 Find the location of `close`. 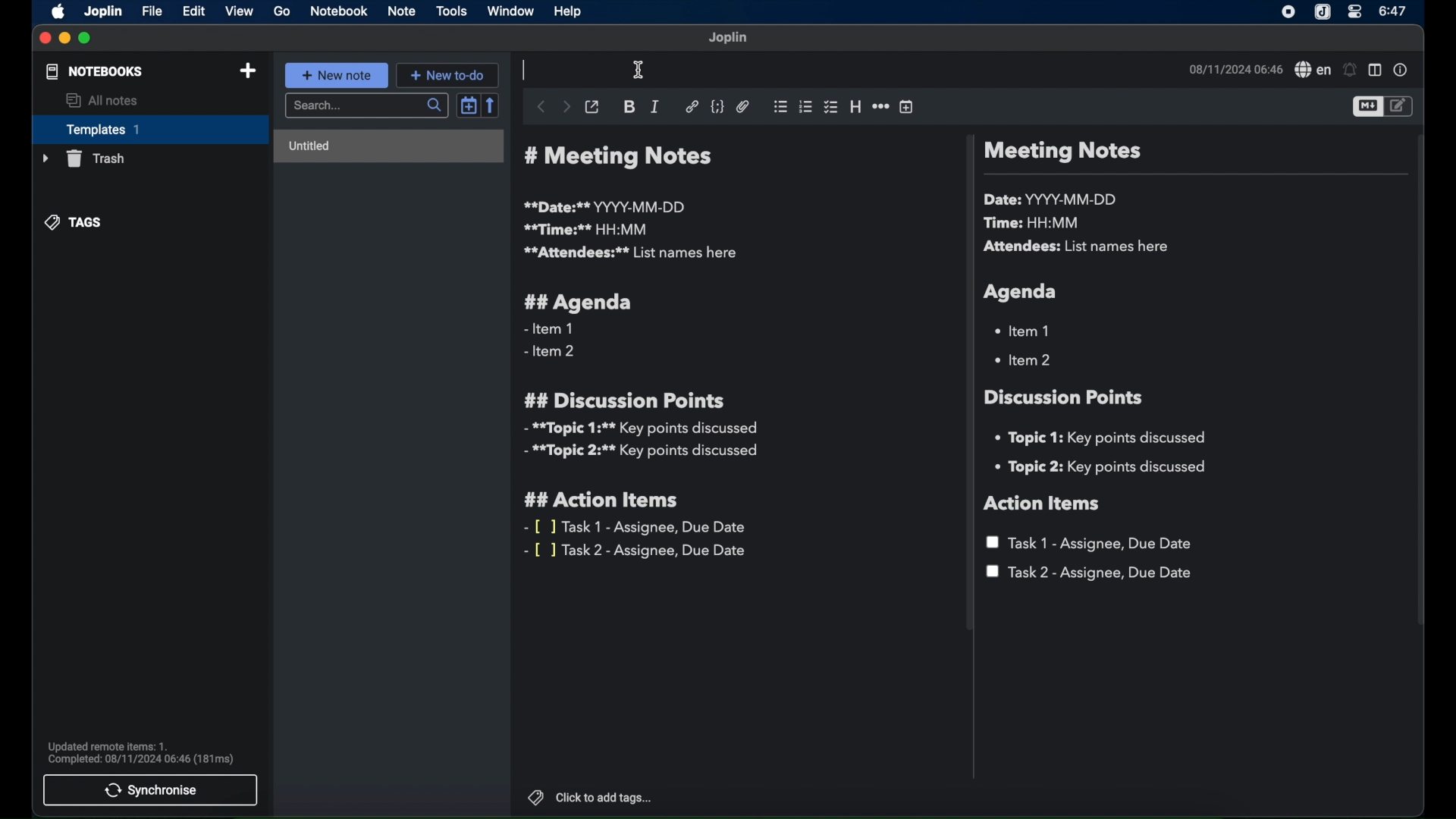

close is located at coordinates (45, 39).